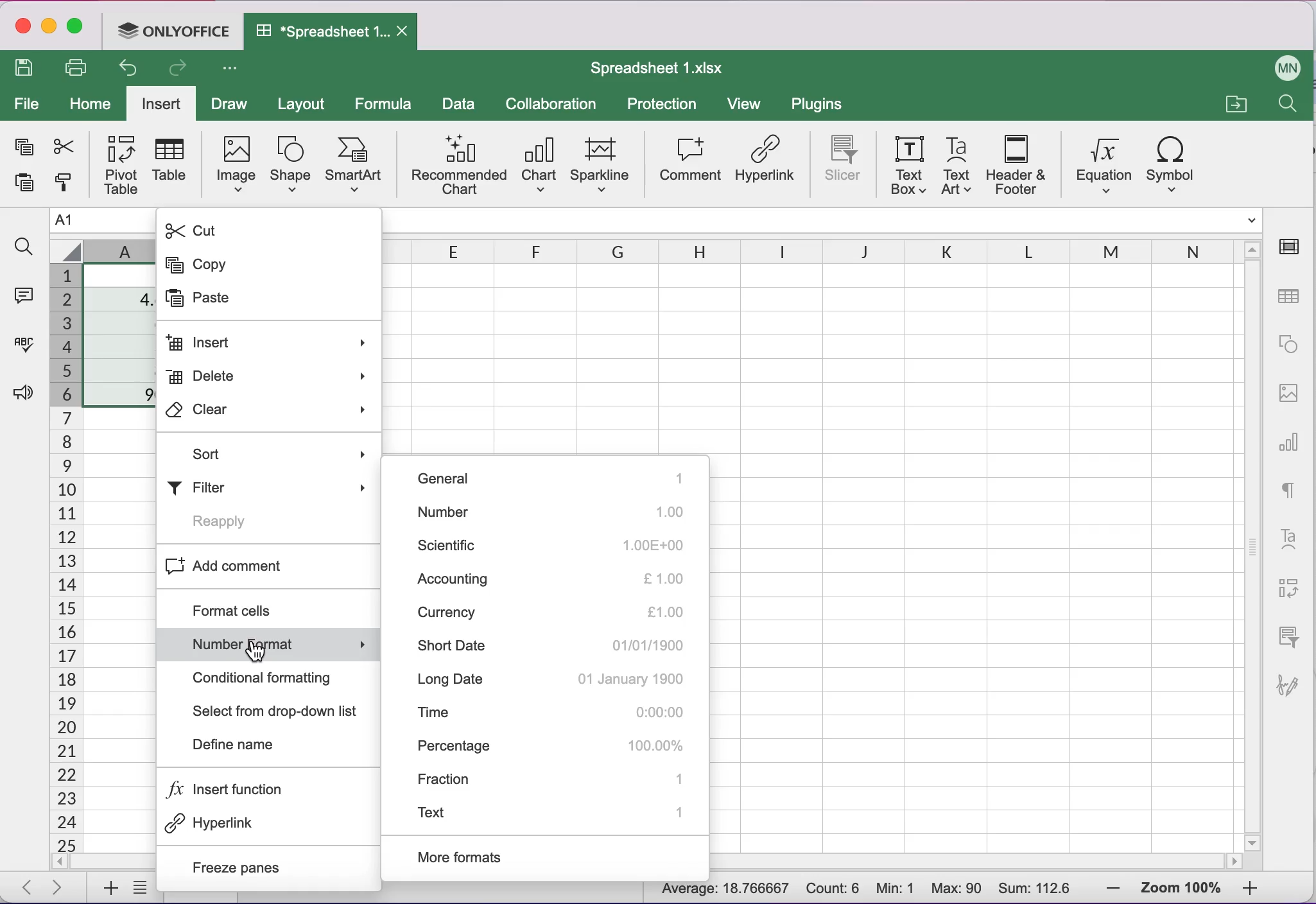  What do you see at coordinates (50, 28) in the screenshot?
I see `minimize` at bounding box center [50, 28].